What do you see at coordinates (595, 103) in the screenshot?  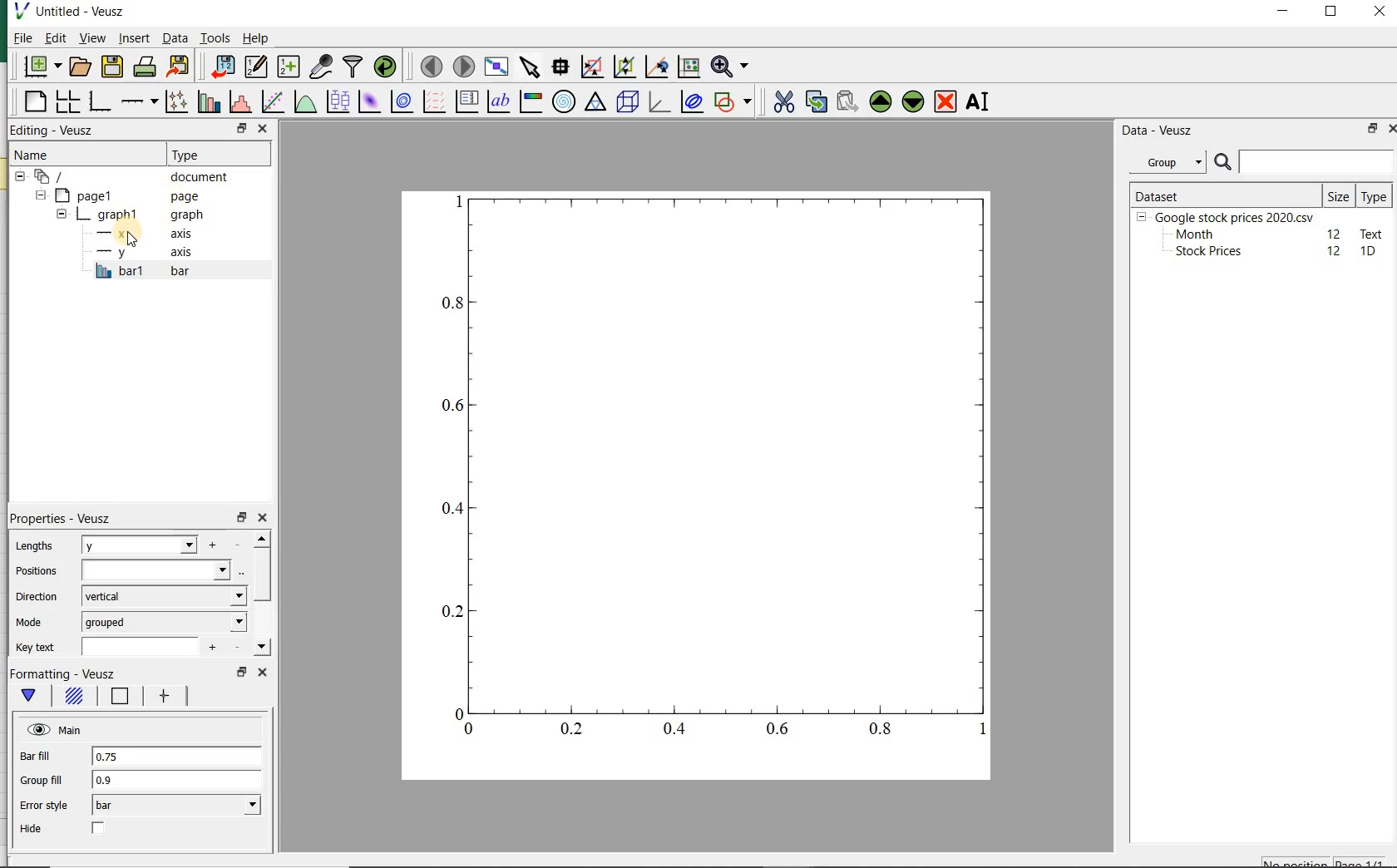 I see `ternary graph` at bounding box center [595, 103].